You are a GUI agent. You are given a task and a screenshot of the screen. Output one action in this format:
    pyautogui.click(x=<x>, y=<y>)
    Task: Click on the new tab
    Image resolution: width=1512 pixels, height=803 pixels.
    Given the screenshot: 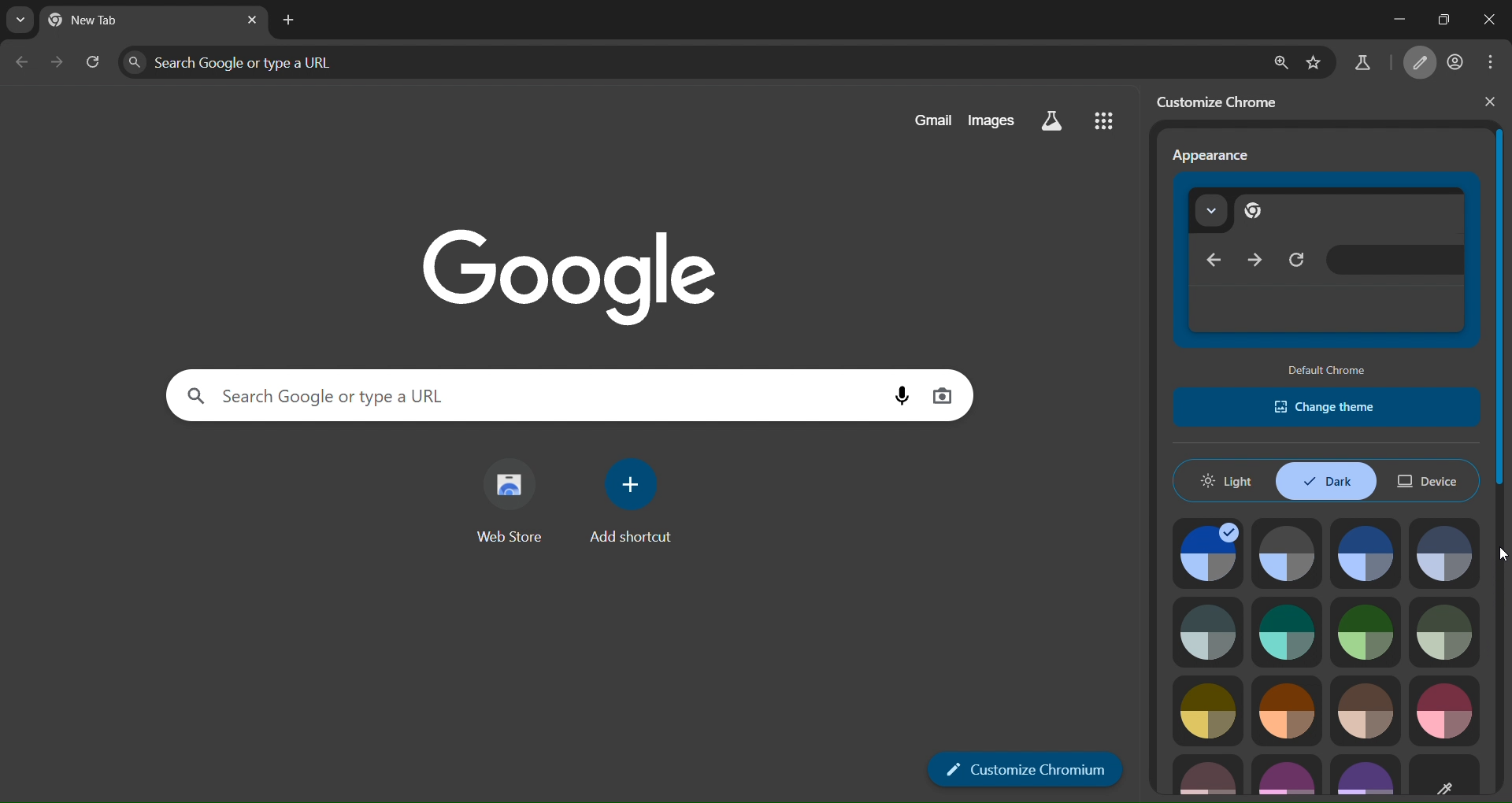 What is the action you would take?
    pyautogui.click(x=289, y=21)
    